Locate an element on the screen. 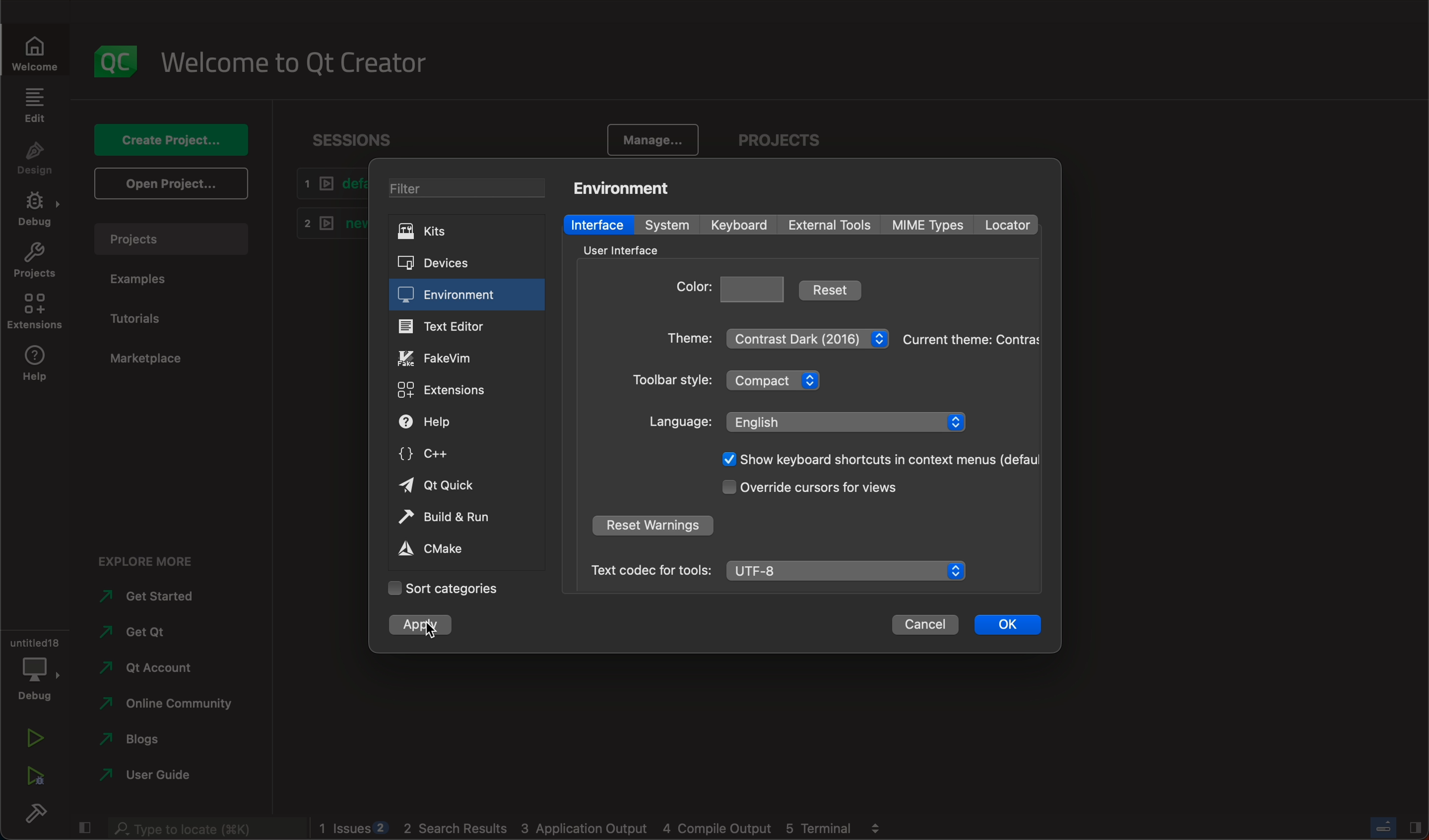 The height and width of the screenshot is (840, 1429).  is located at coordinates (874, 460).